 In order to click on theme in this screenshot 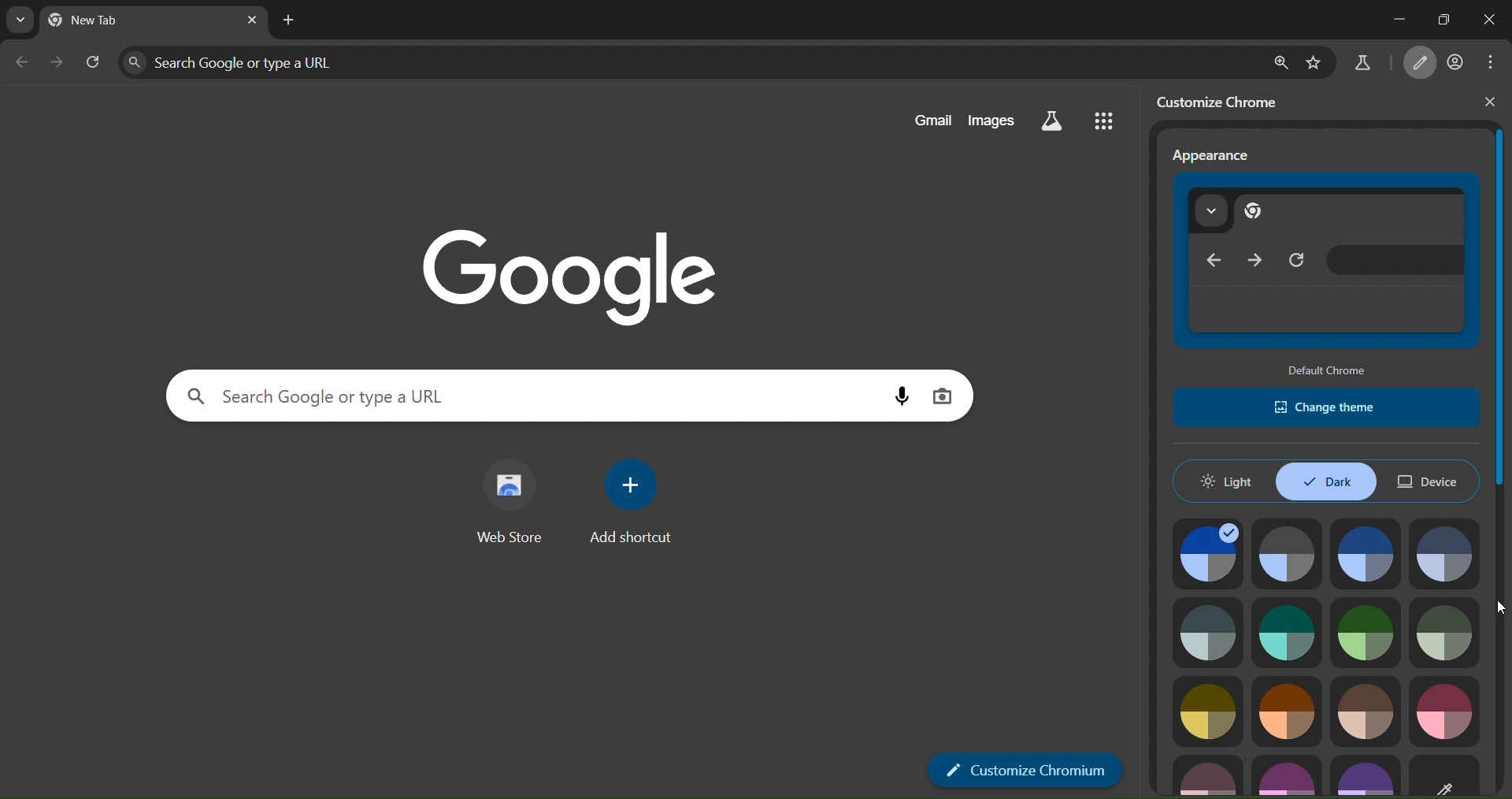, I will do `click(1210, 552)`.